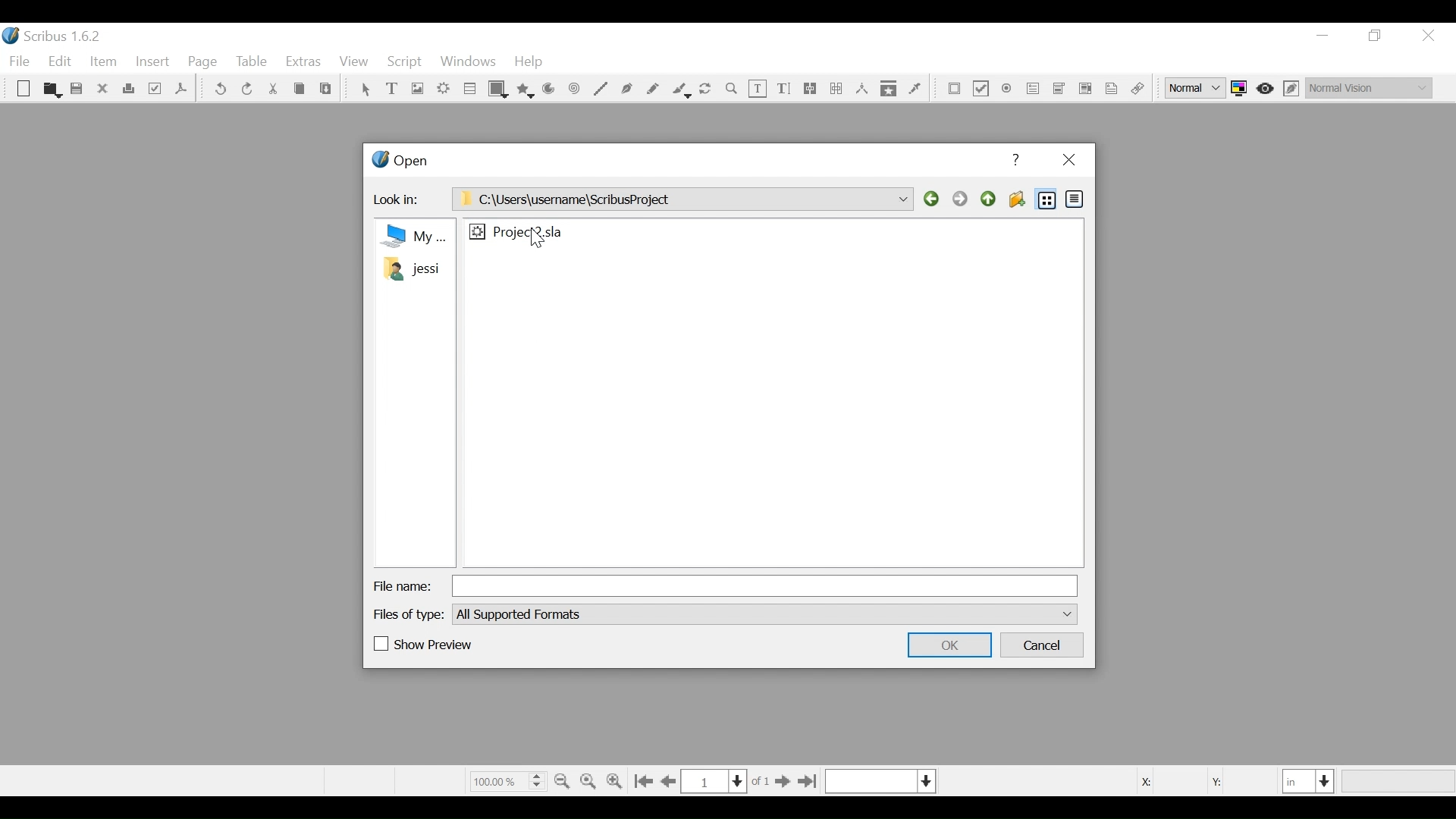 This screenshot has height=819, width=1456. What do you see at coordinates (889, 88) in the screenshot?
I see `Copy Item properties` at bounding box center [889, 88].